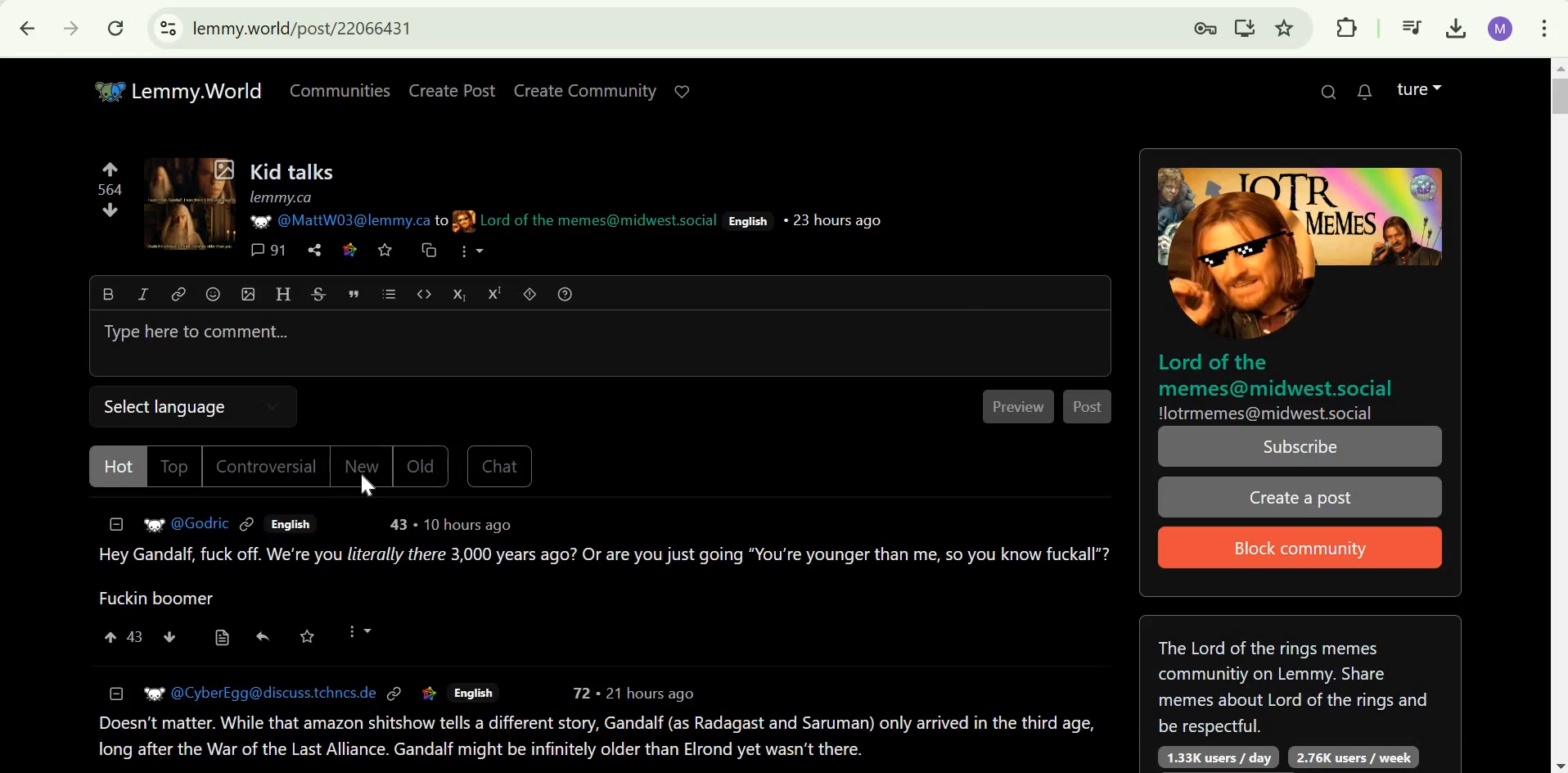 The image size is (1568, 773). What do you see at coordinates (275, 691) in the screenshot?
I see `username` at bounding box center [275, 691].